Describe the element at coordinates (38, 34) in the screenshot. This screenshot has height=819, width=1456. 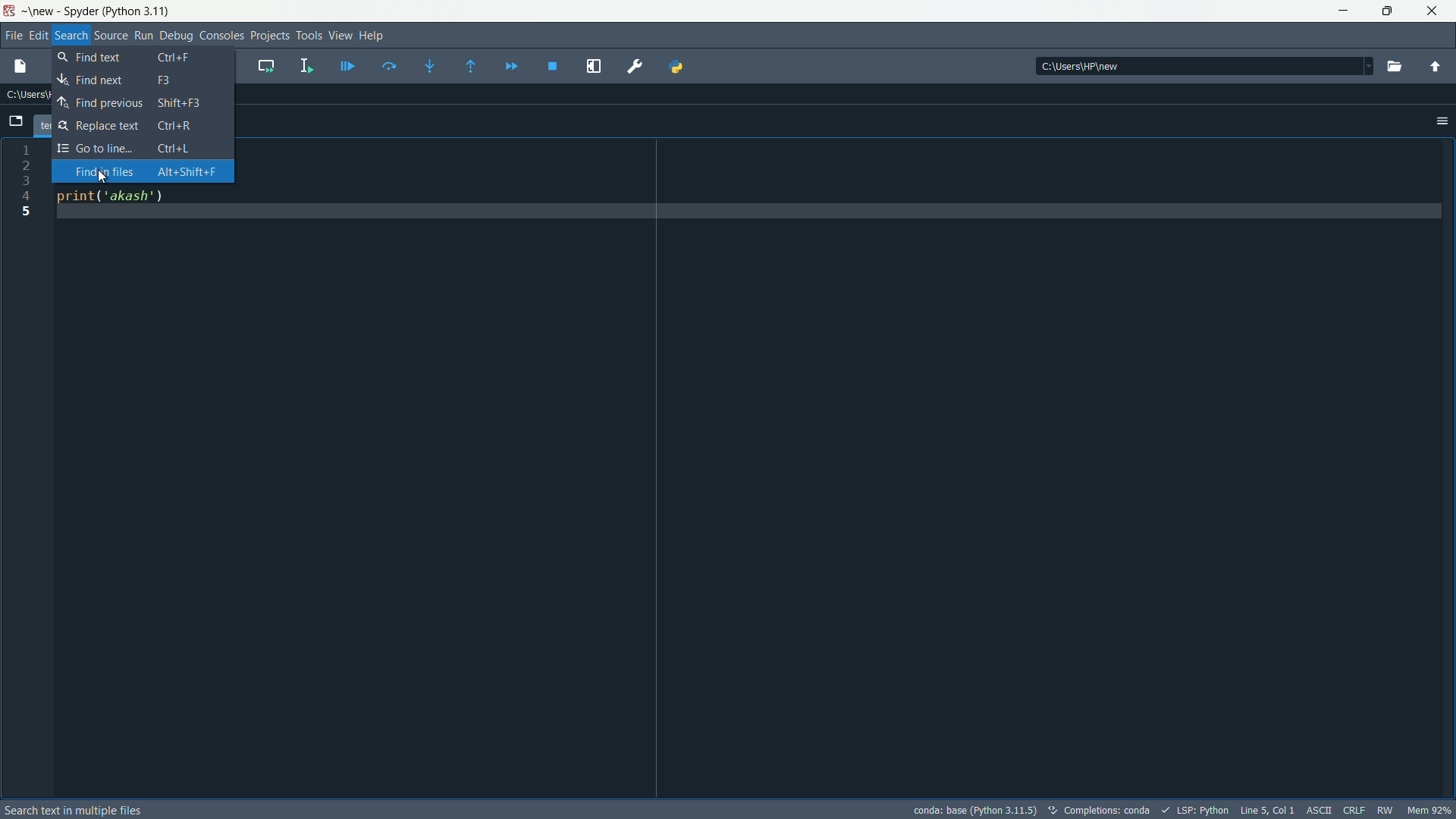
I see `edit menu` at that location.